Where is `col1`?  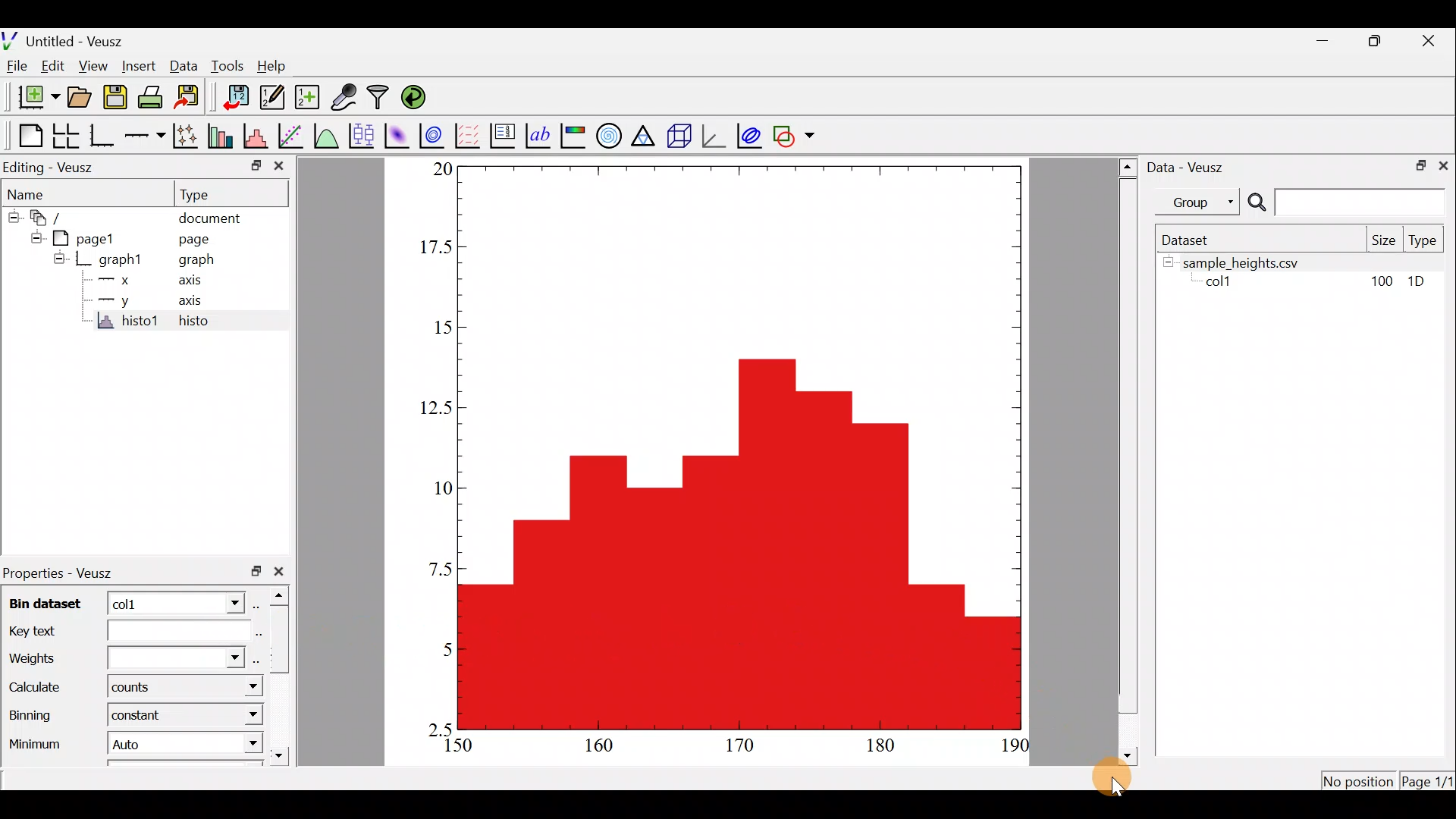 col1 is located at coordinates (149, 603).